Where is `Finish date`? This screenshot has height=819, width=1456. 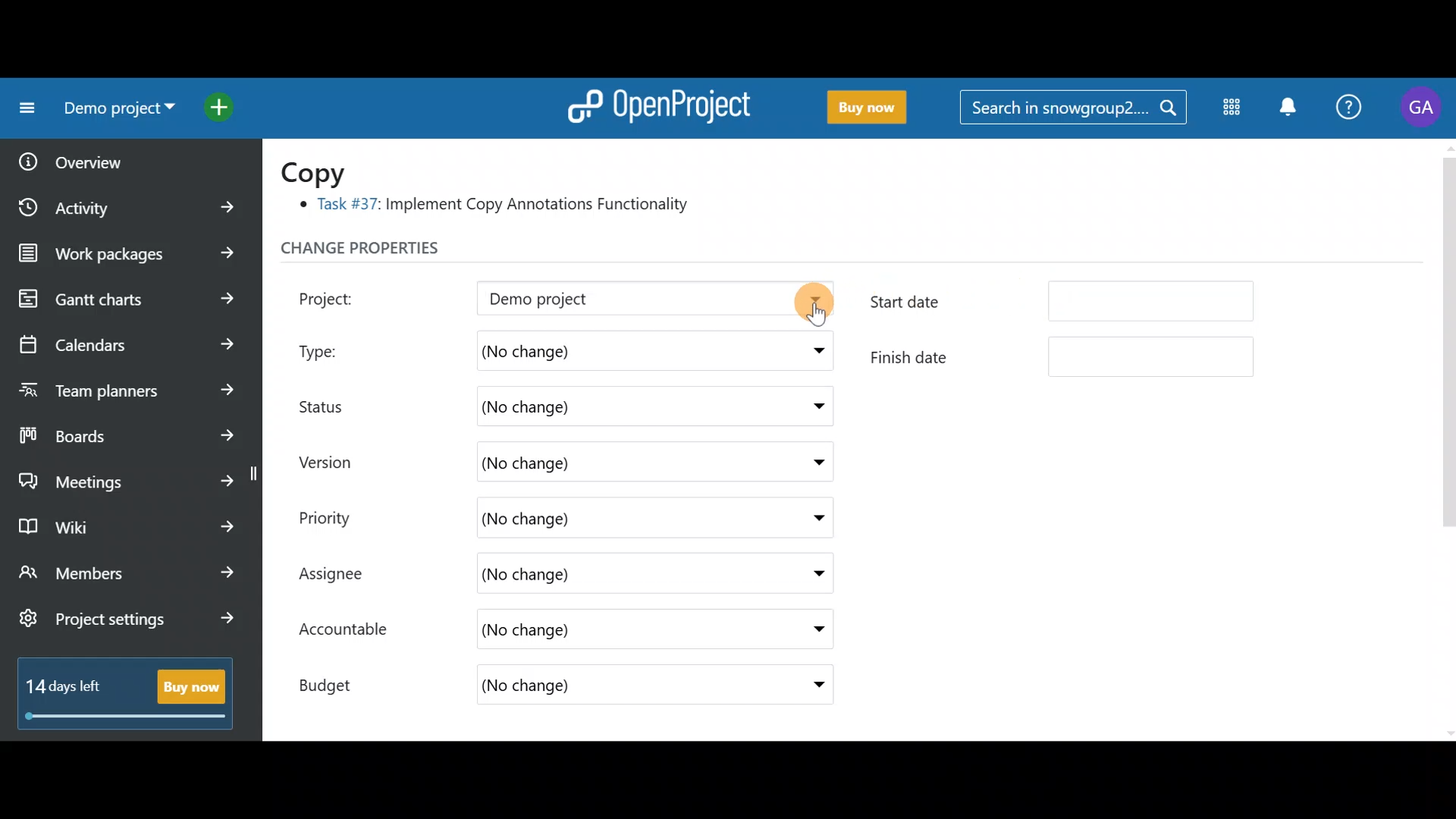
Finish date is located at coordinates (1063, 356).